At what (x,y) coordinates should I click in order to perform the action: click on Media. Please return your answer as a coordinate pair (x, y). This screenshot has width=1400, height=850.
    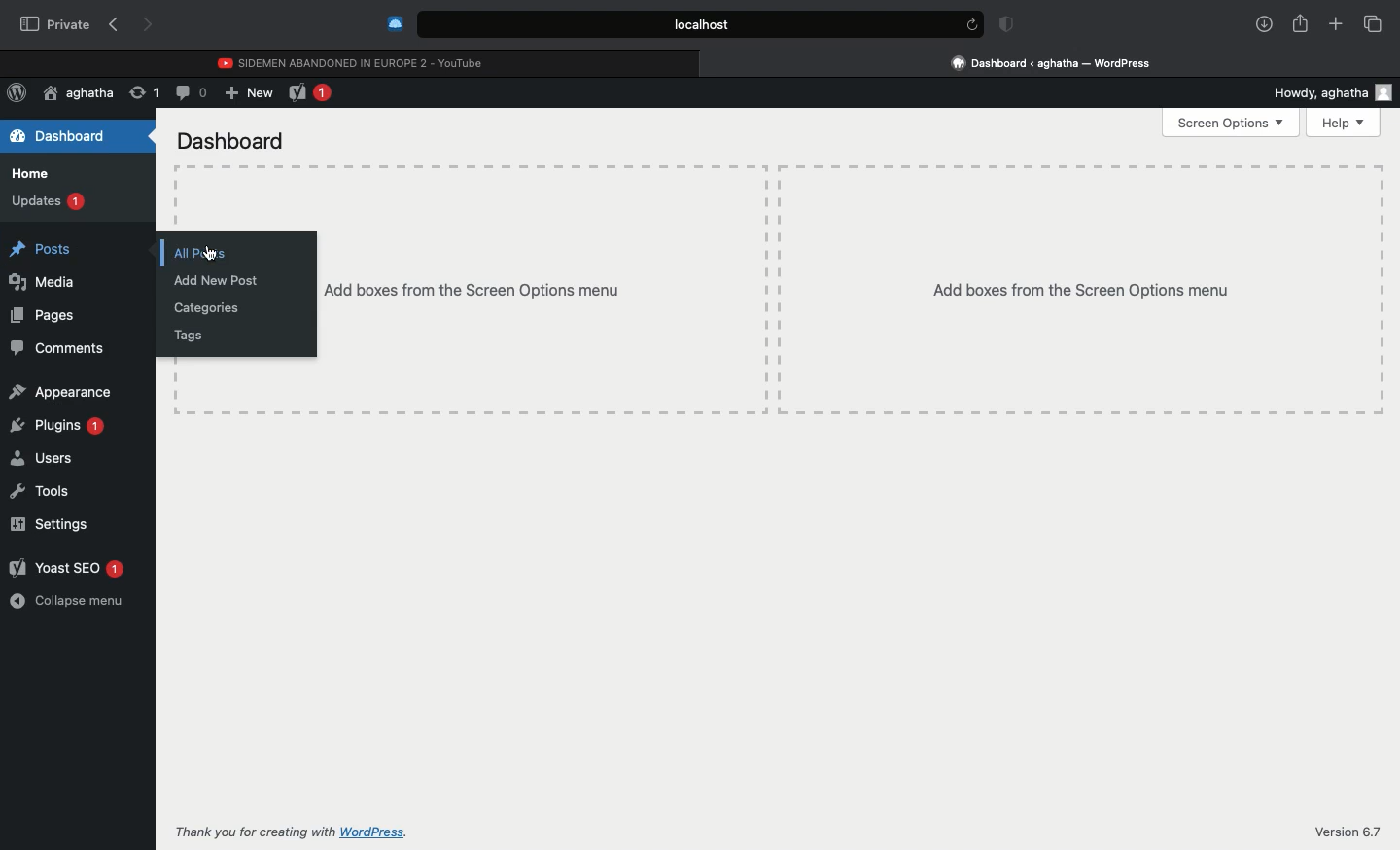
    Looking at the image, I should click on (52, 282).